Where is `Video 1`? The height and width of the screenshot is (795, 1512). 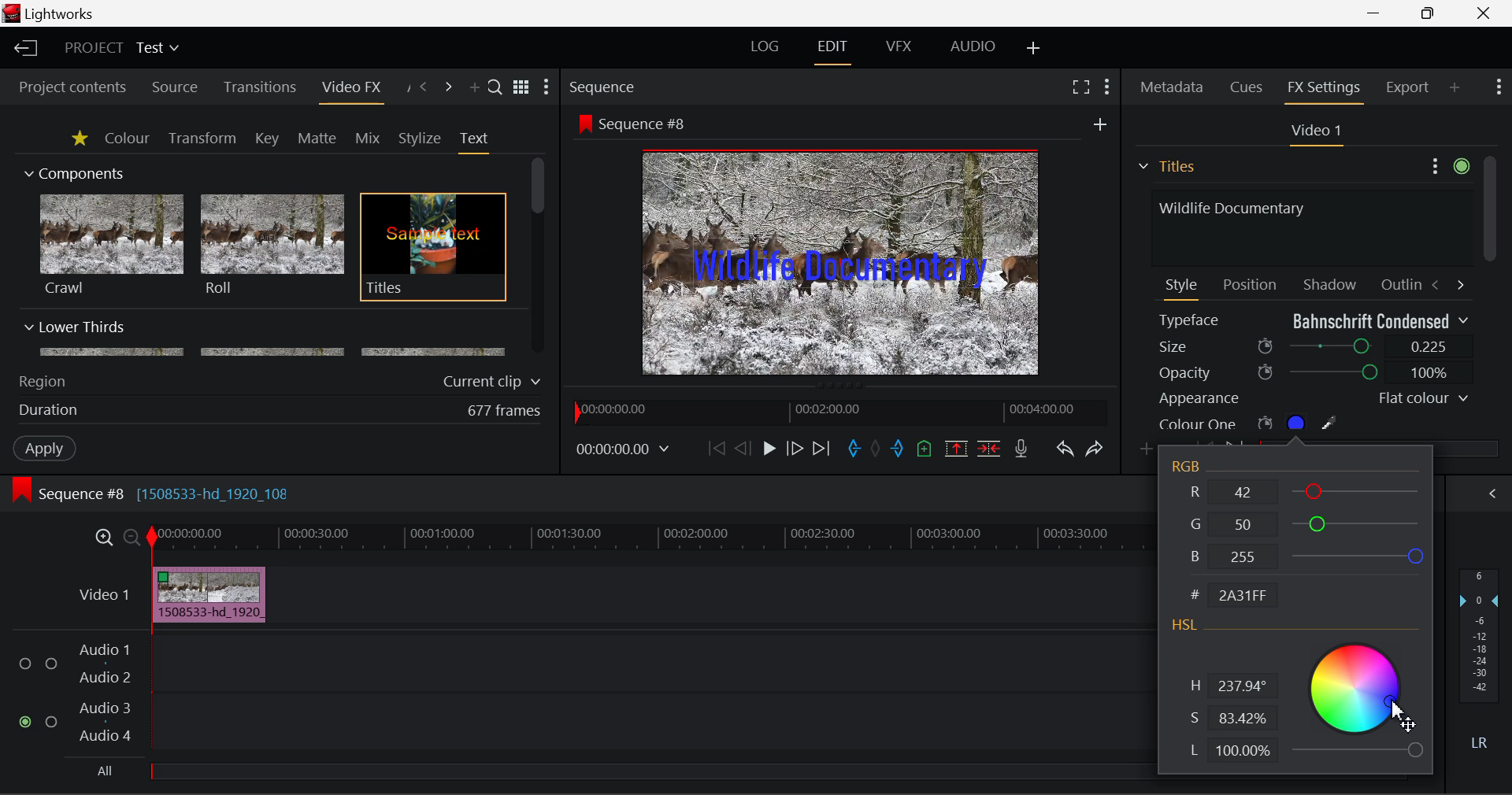
Video 1 is located at coordinates (1314, 131).